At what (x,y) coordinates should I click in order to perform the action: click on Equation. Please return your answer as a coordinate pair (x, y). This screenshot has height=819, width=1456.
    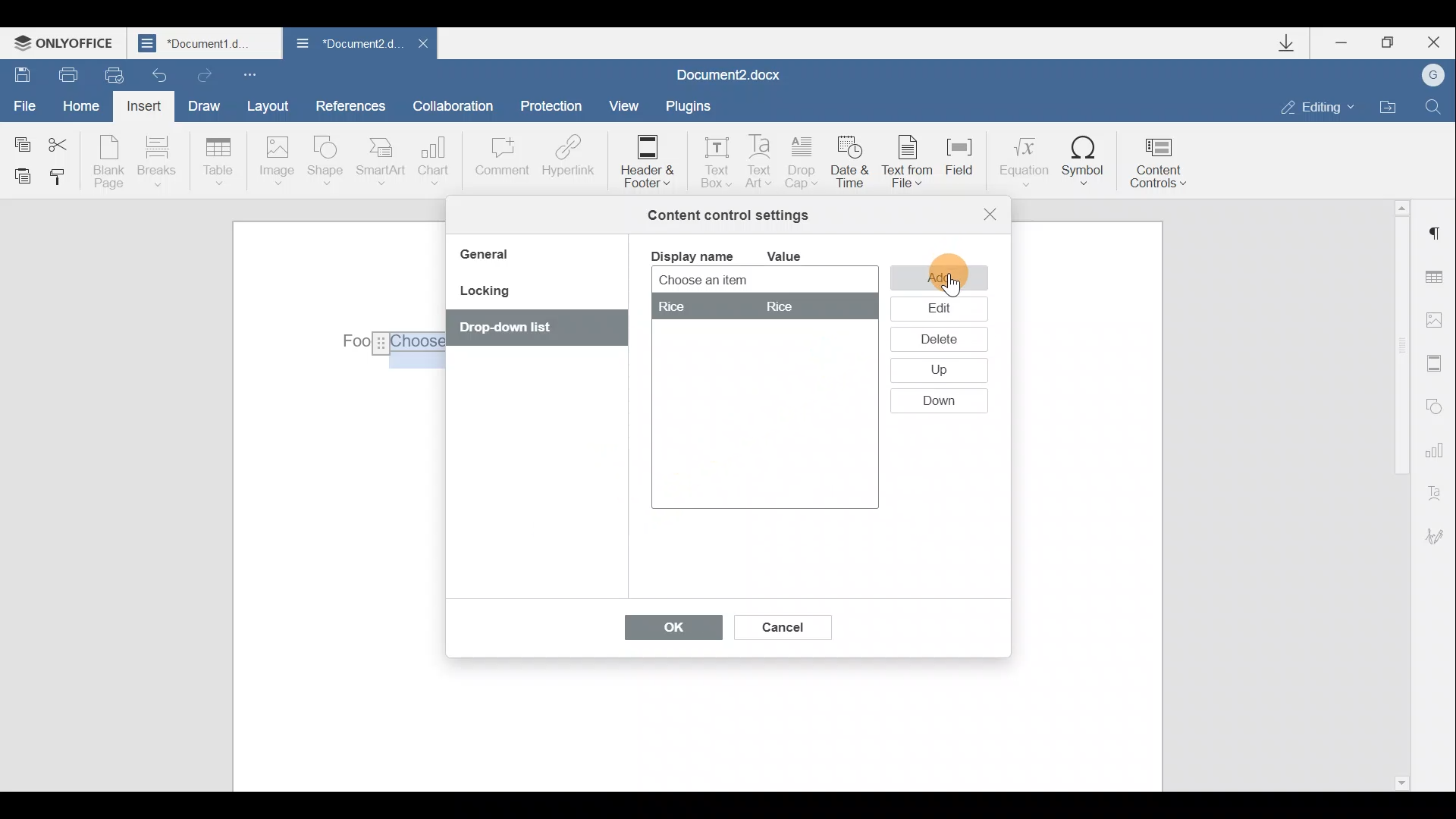
    Looking at the image, I should click on (1022, 158).